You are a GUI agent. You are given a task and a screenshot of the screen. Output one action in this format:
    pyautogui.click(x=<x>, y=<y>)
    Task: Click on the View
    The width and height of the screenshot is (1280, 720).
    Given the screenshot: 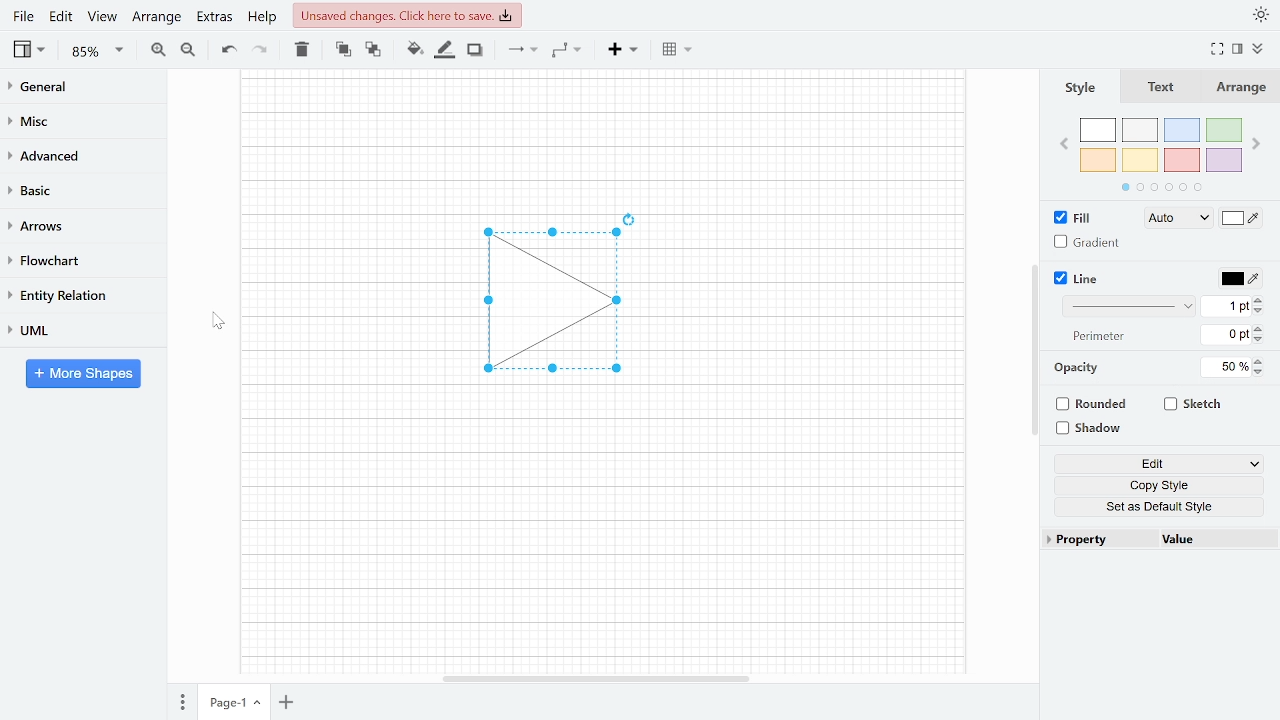 What is the action you would take?
    pyautogui.click(x=31, y=49)
    